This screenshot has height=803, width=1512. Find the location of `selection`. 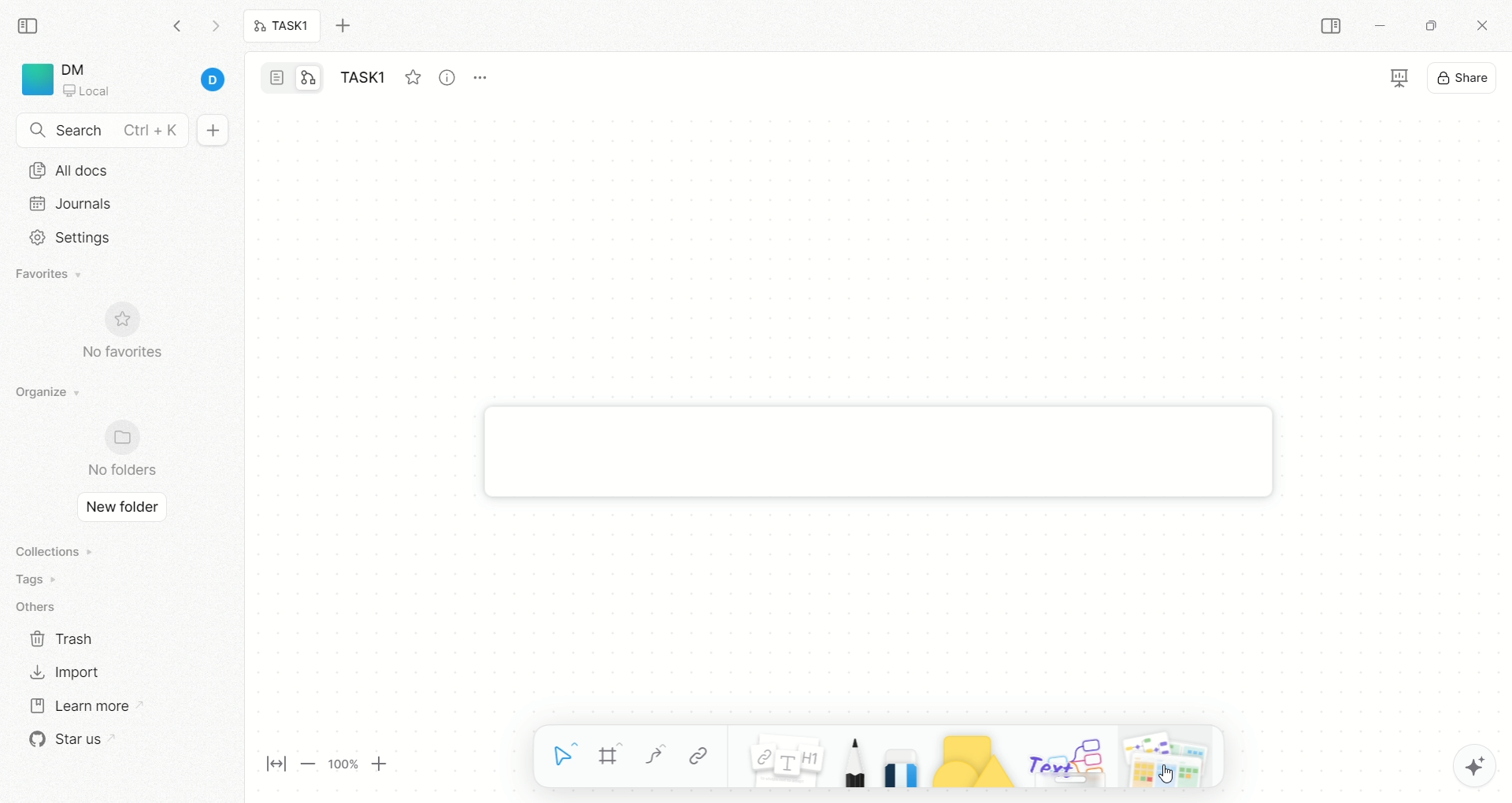

selection is located at coordinates (565, 758).